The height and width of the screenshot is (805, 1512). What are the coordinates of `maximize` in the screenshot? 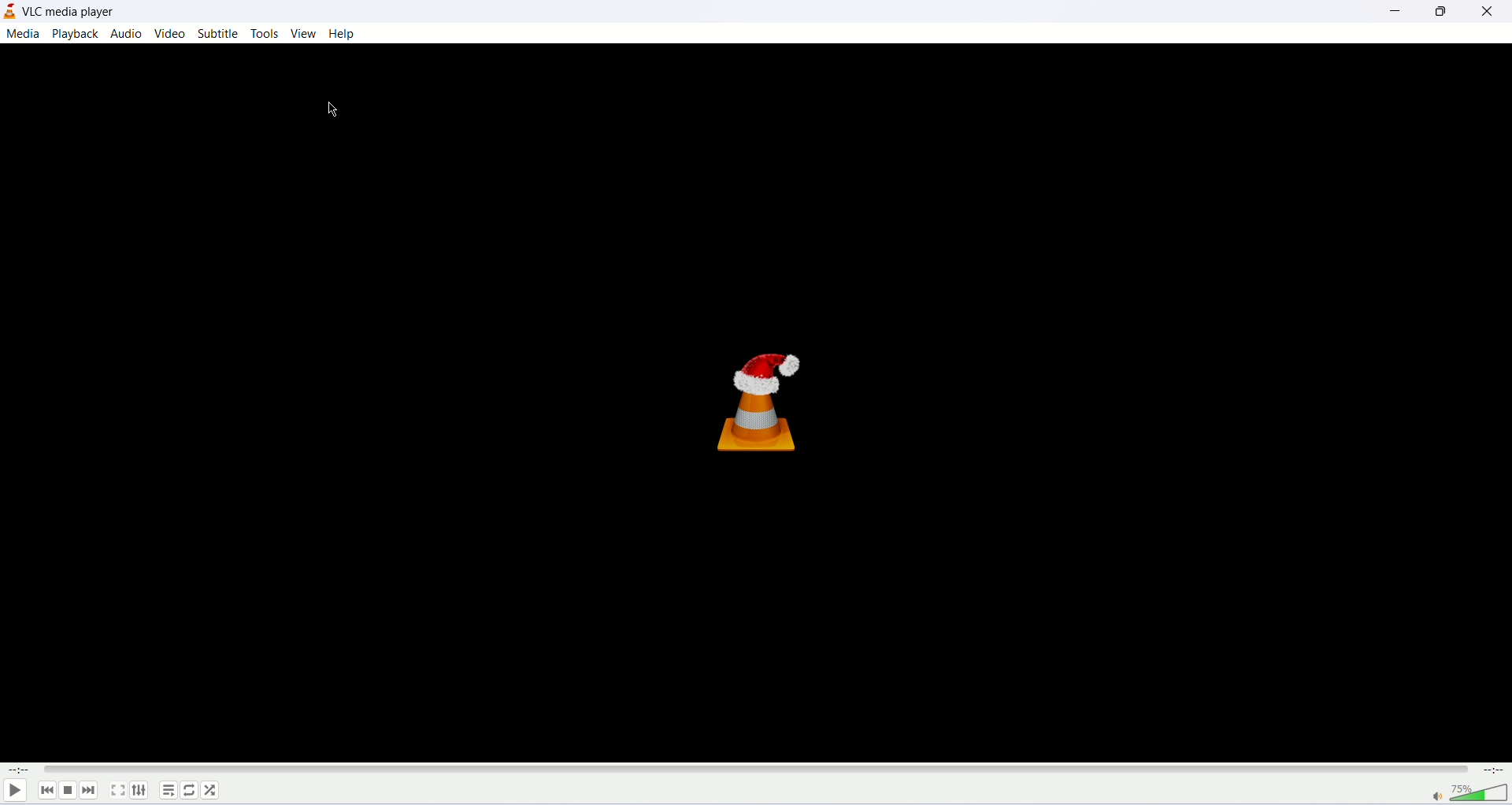 It's located at (1439, 13).